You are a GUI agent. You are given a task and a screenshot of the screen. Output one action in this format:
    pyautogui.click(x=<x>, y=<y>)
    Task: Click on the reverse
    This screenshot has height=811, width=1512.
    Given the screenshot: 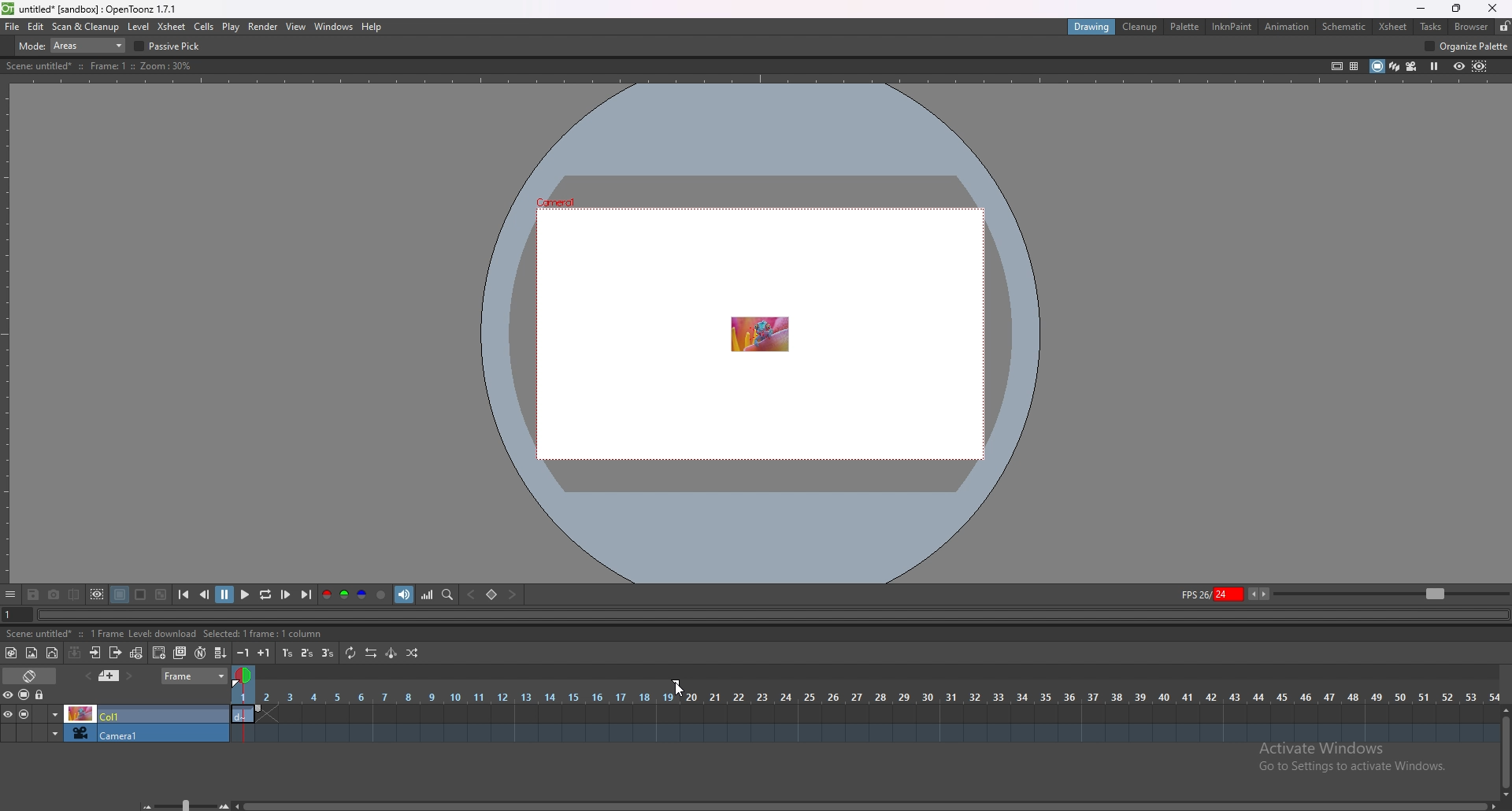 What is the action you would take?
    pyautogui.click(x=372, y=653)
    